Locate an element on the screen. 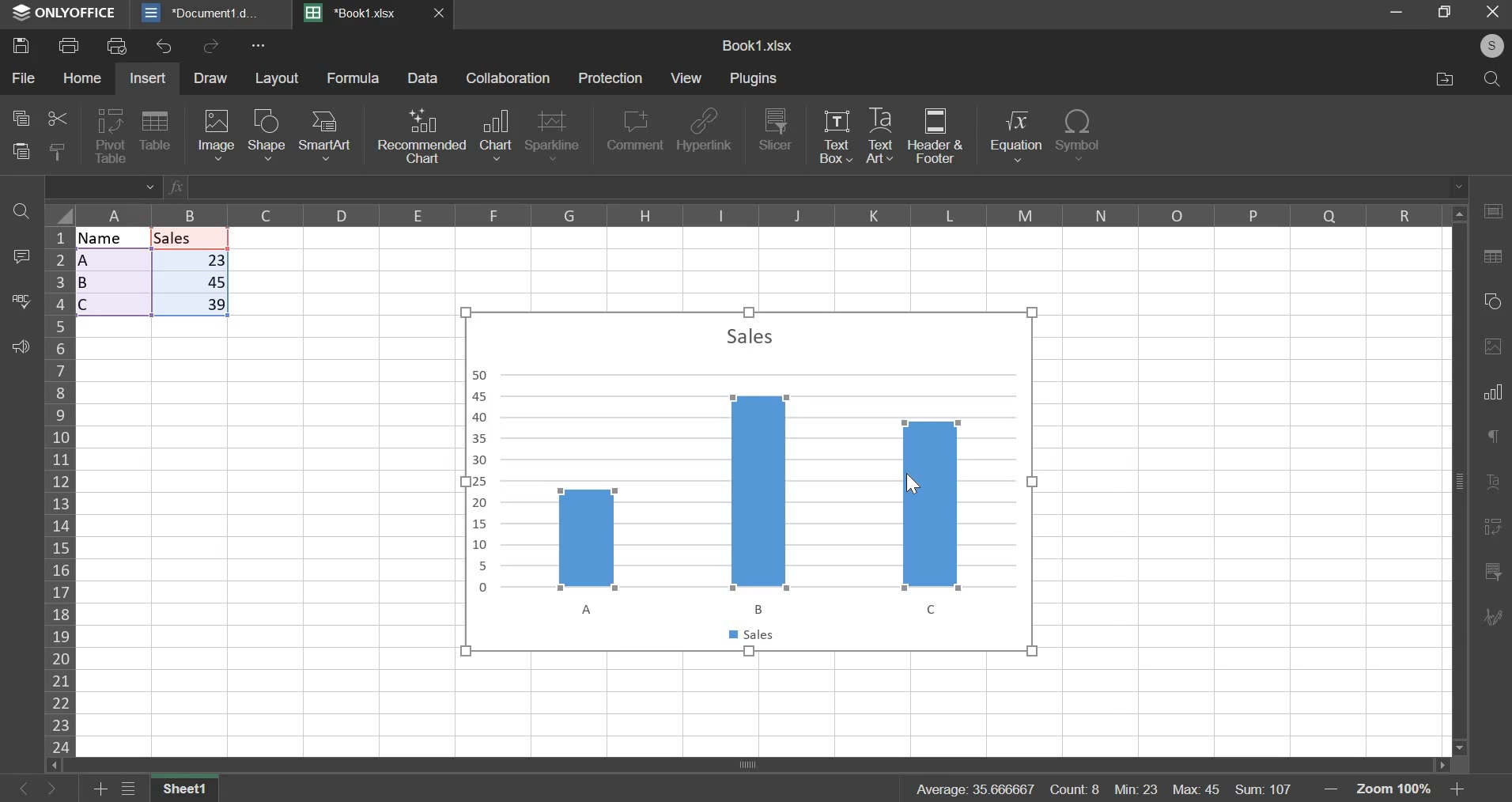  plugins is located at coordinates (758, 78).